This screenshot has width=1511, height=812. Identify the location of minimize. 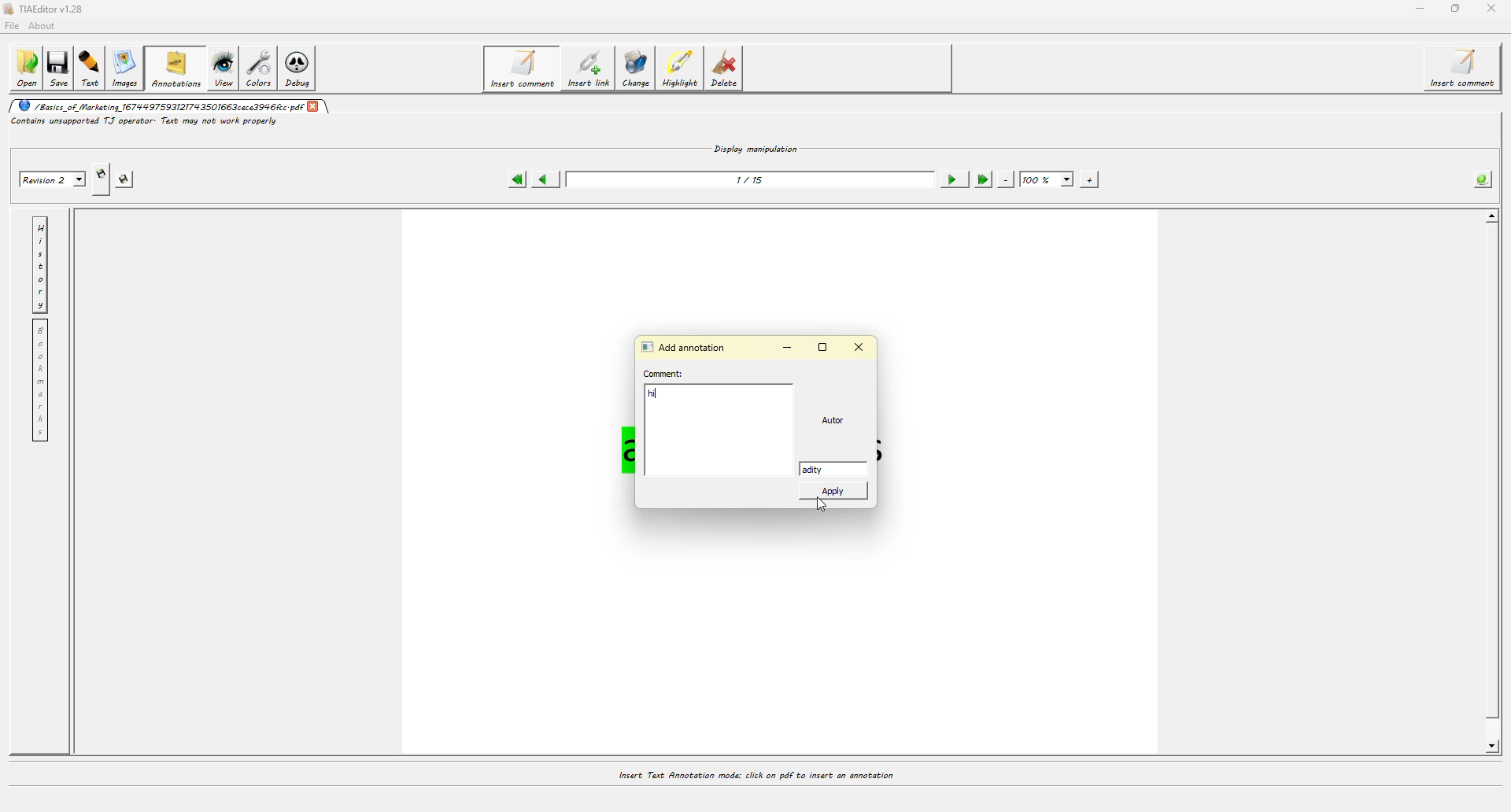
(792, 349).